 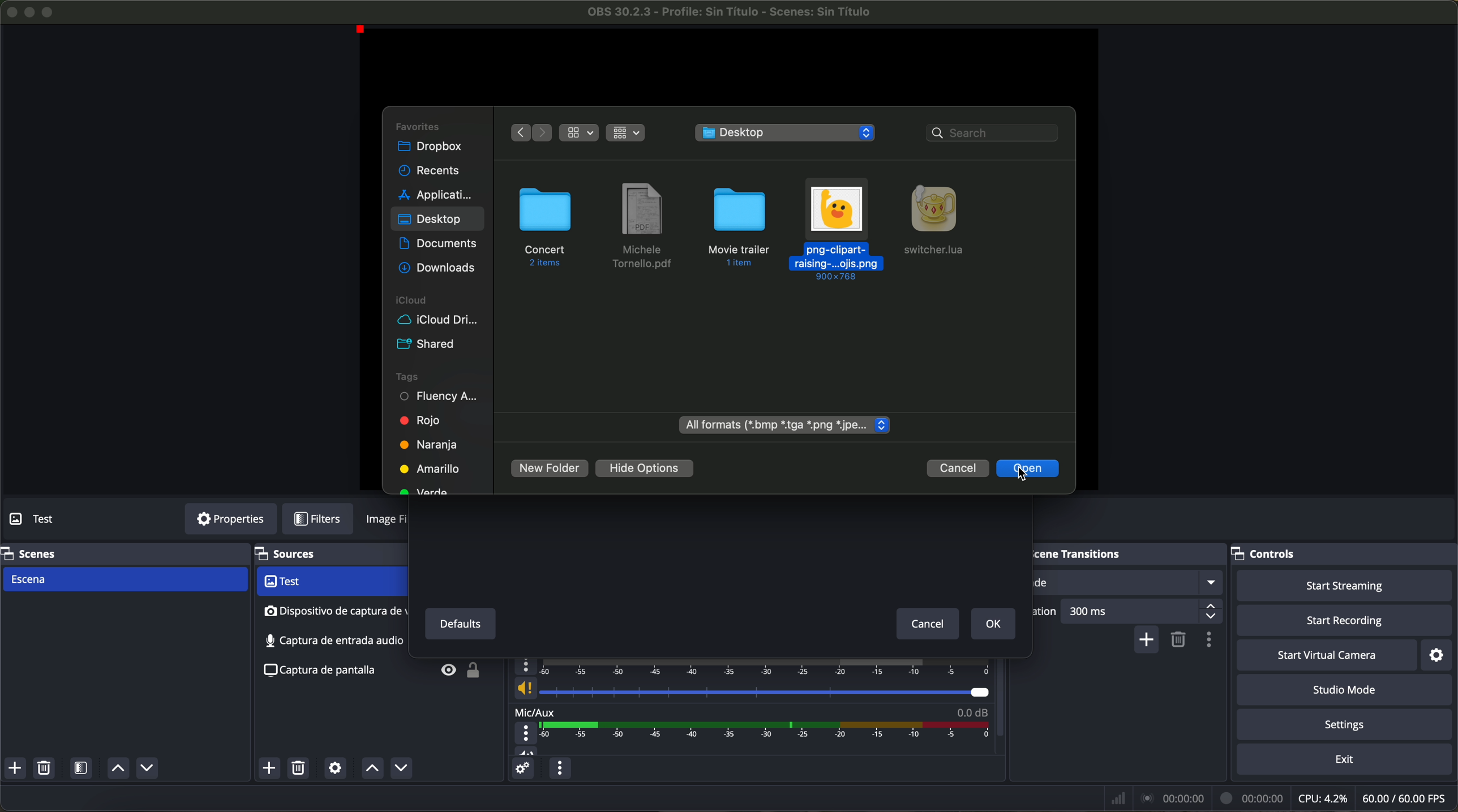 What do you see at coordinates (372, 768) in the screenshot?
I see `move source up` at bounding box center [372, 768].